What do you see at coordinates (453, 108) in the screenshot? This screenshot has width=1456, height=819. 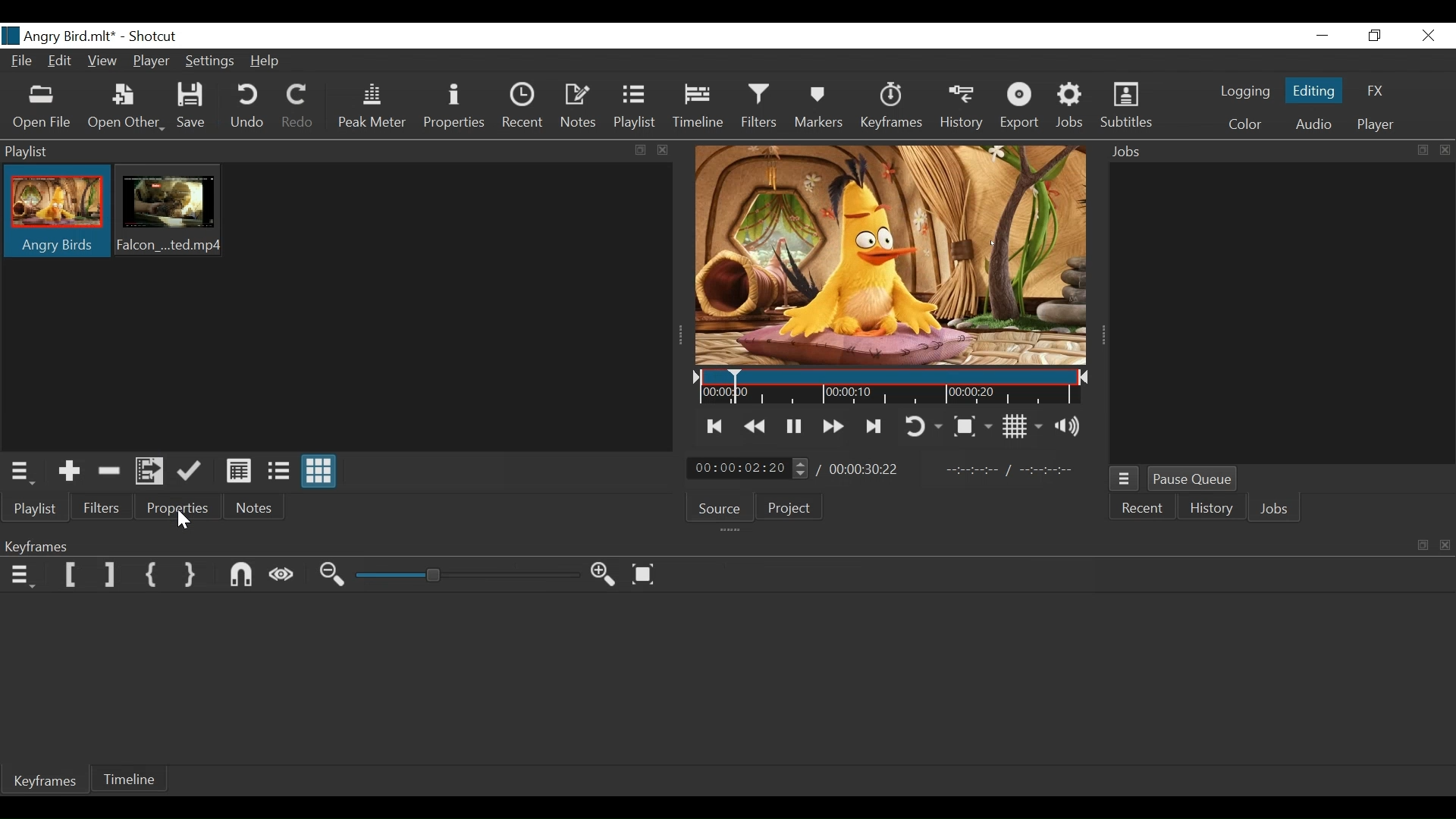 I see `Properties` at bounding box center [453, 108].